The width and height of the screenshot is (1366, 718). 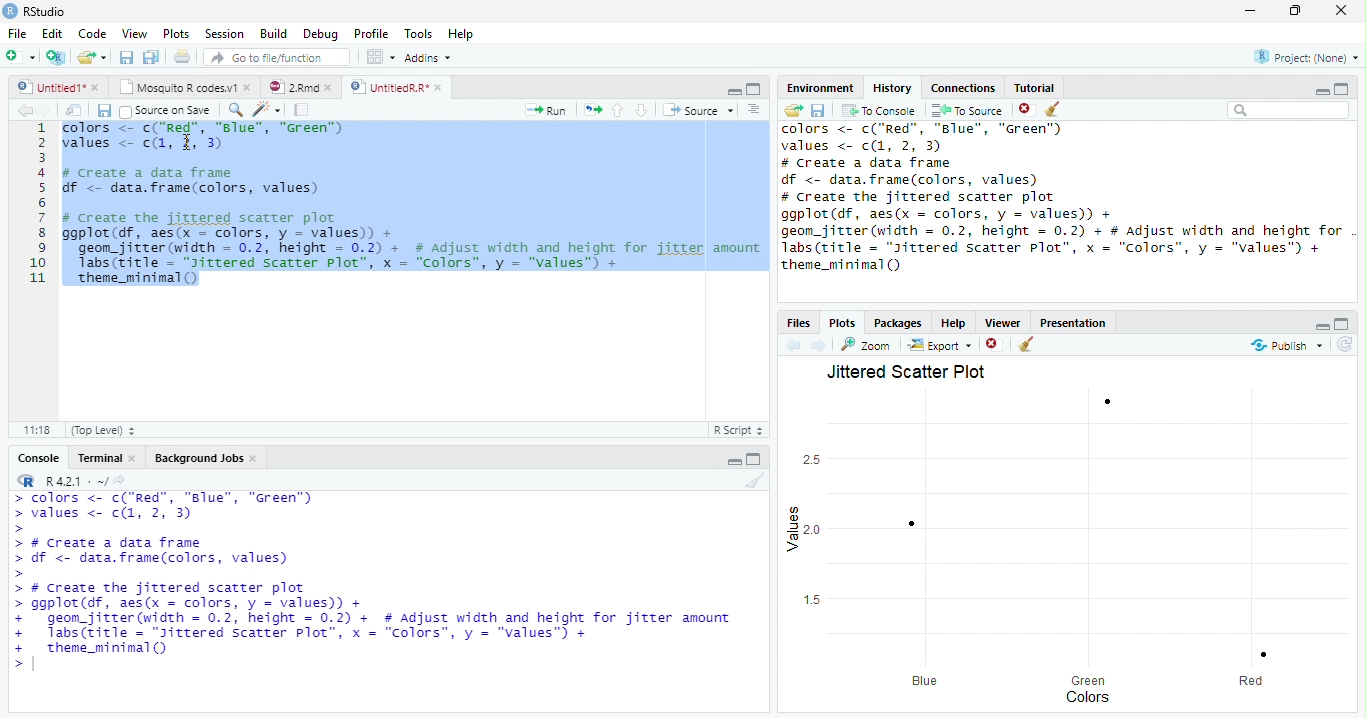 I want to click on Load history from an existing file, so click(x=793, y=110).